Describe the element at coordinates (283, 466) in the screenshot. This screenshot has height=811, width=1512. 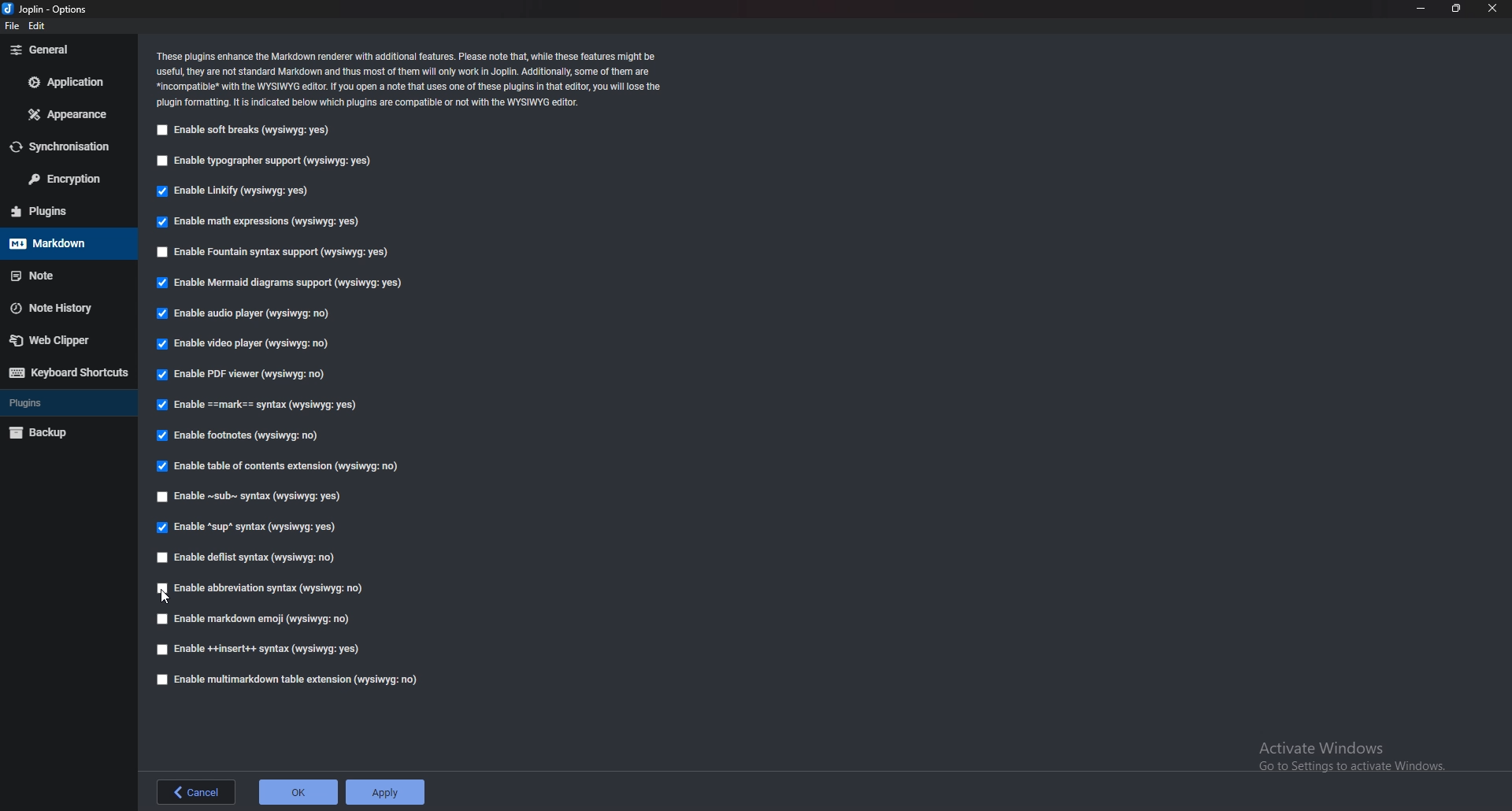
I see `Enable table of contents extension (wysiwyg: no)` at that location.